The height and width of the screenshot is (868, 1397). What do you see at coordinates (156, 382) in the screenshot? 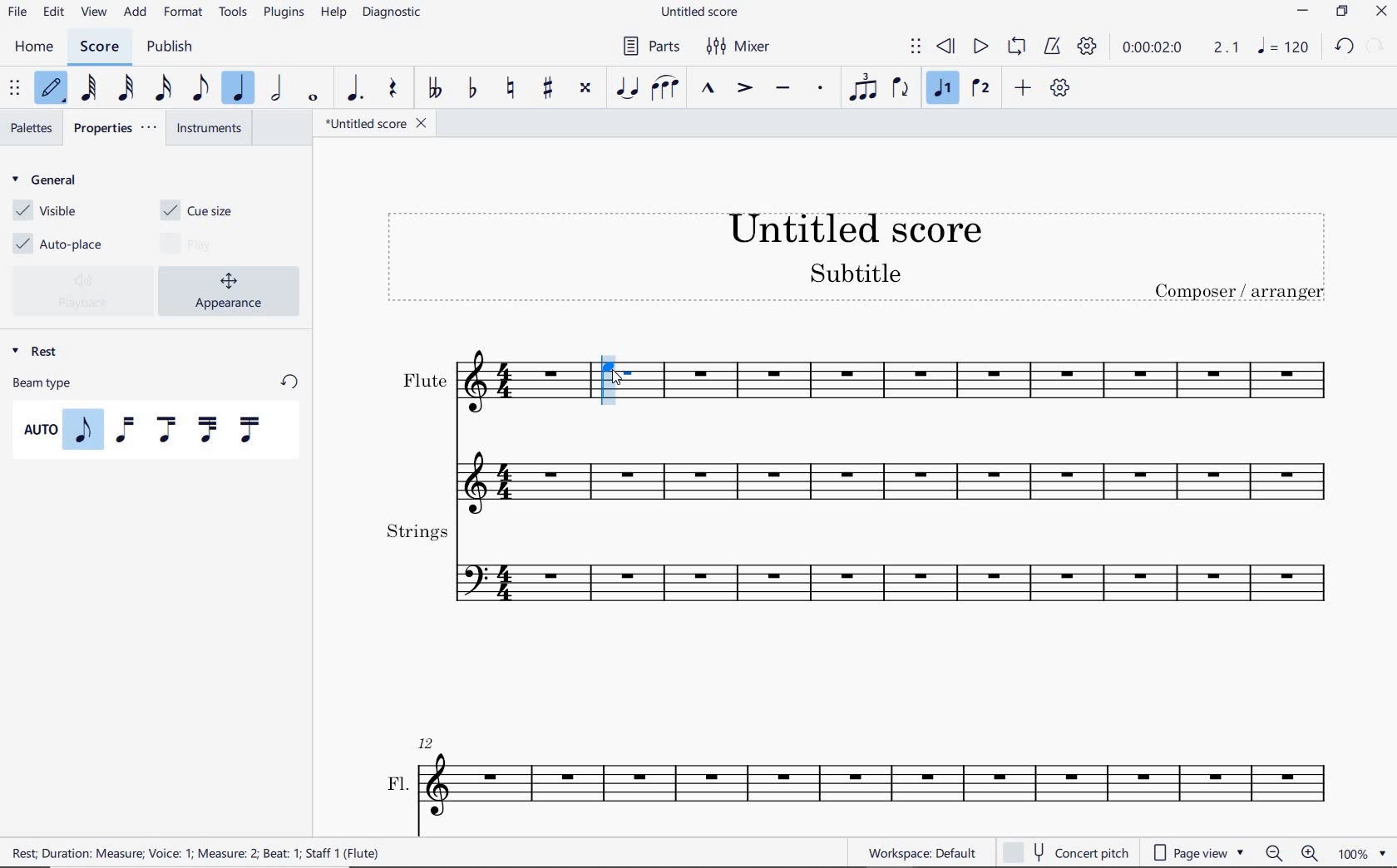
I see `BEAM TYPE` at bounding box center [156, 382].